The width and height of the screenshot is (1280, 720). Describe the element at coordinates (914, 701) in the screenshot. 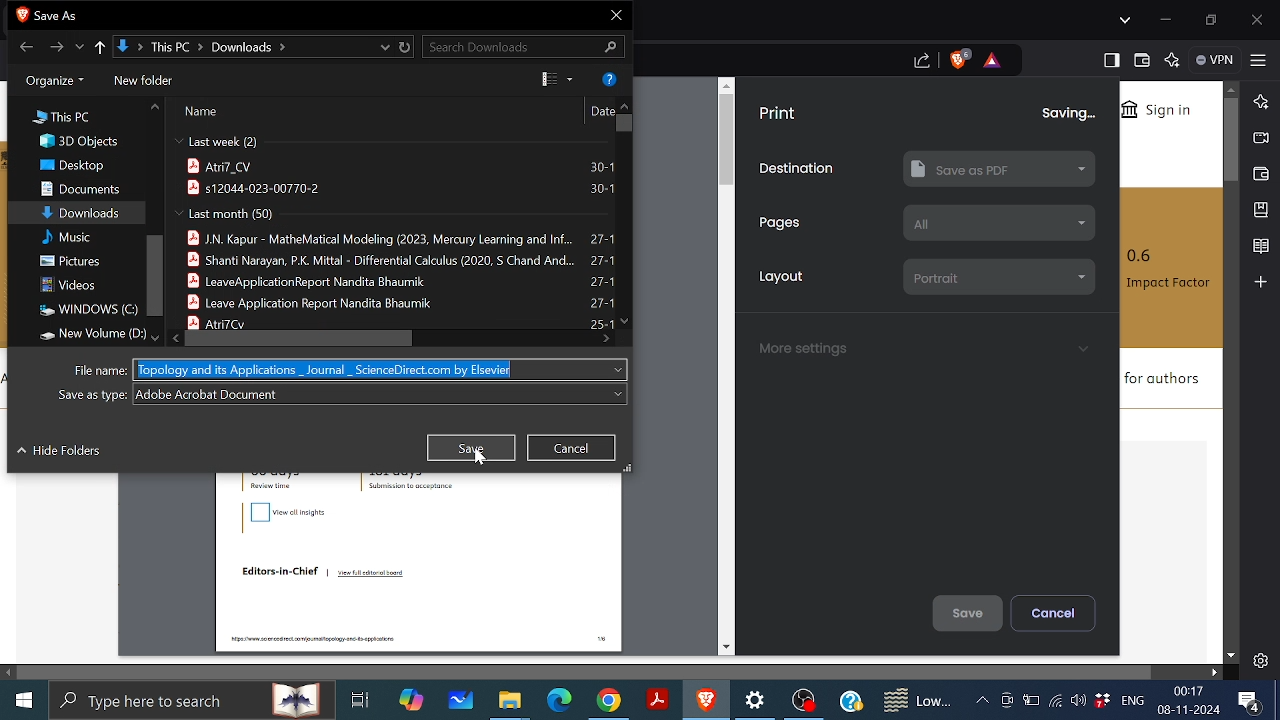

I see `Weather notifications` at that location.